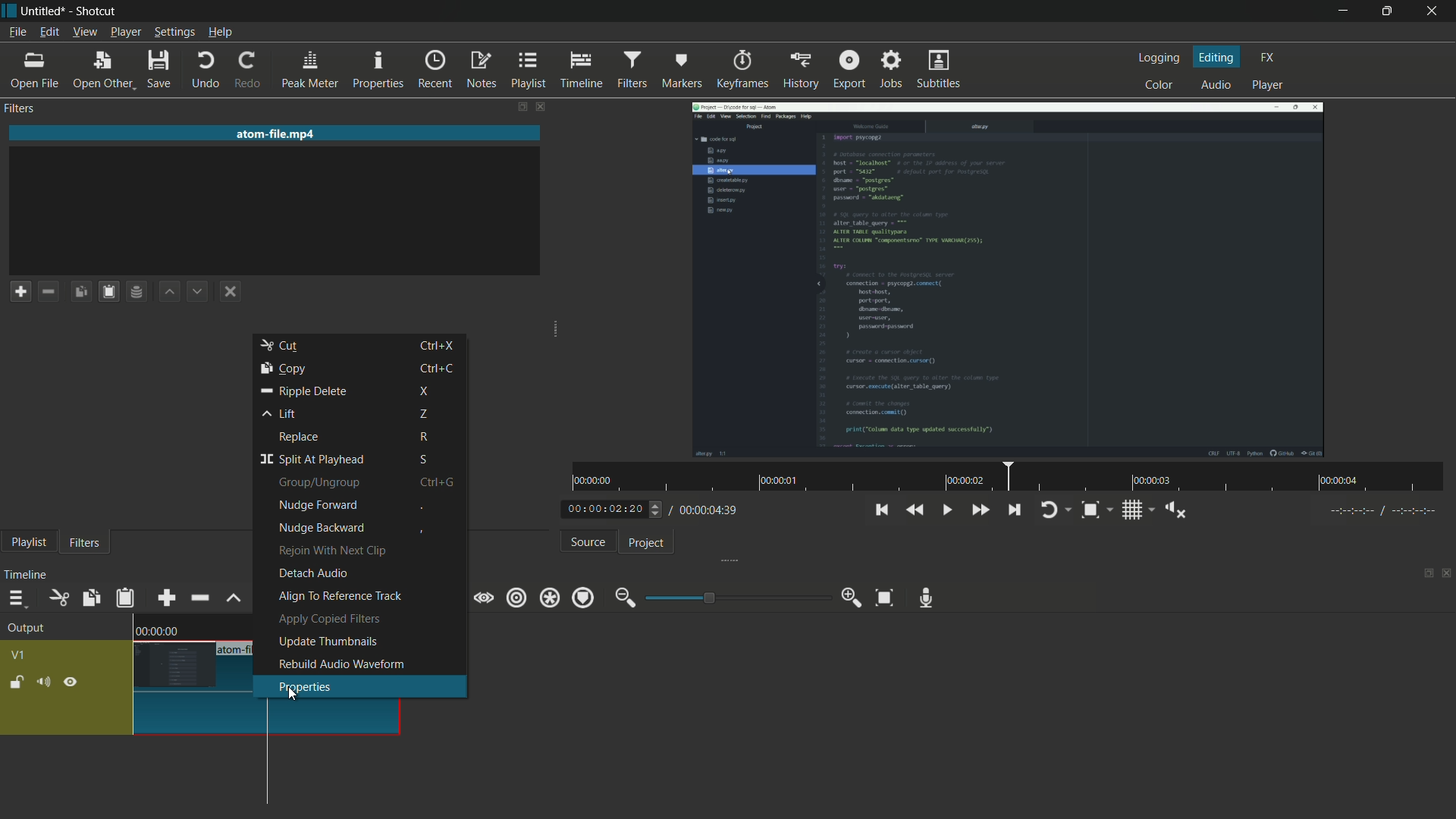 The image size is (1456, 819). What do you see at coordinates (56, 598) in the screenshot?
I see `cut` at bounding box center [56, 598].